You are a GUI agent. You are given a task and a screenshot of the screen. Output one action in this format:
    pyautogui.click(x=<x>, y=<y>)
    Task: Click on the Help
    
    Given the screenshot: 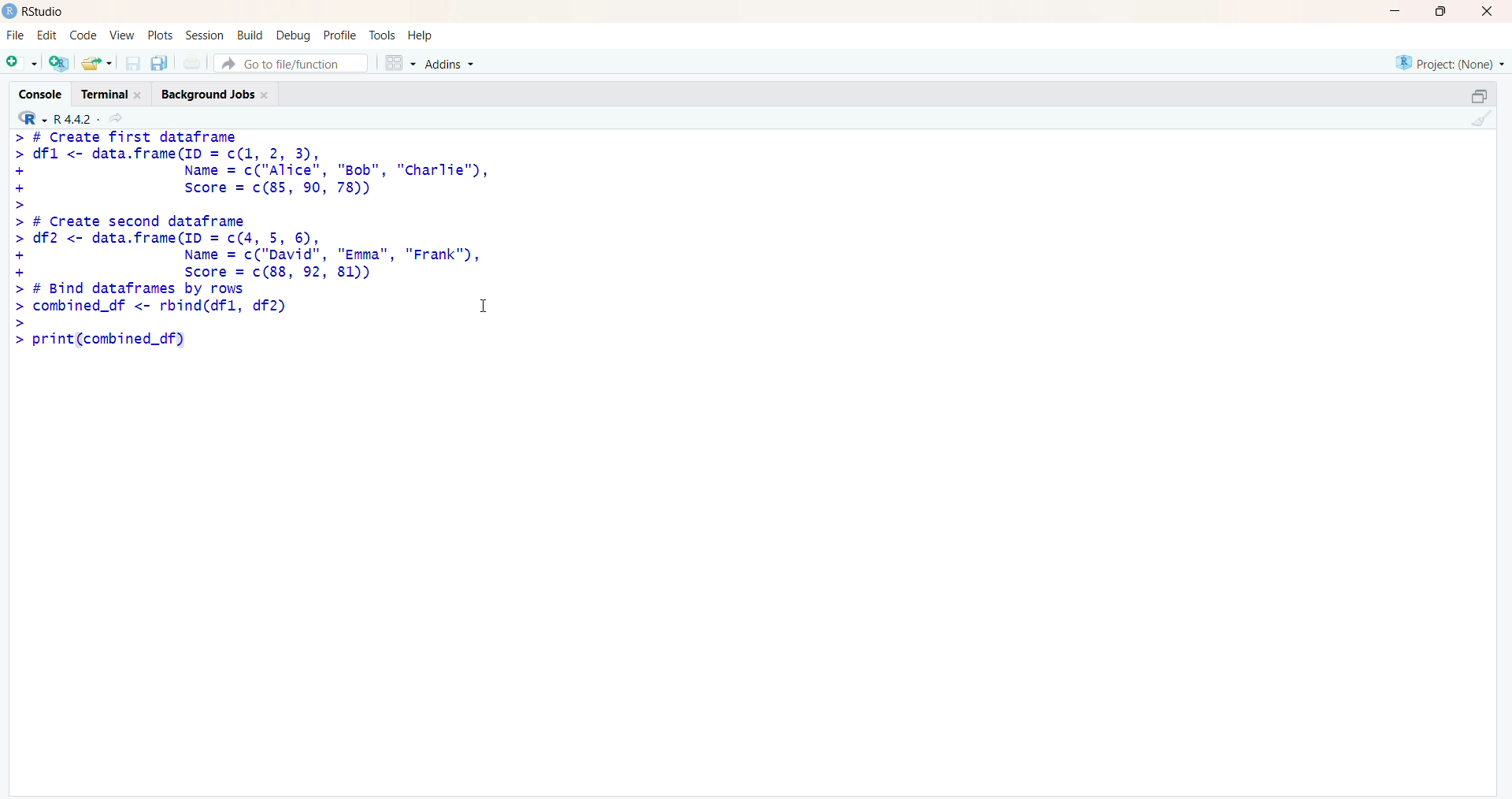 What is the action you would take?
    pyautogui.click(x=421, y=35)
    